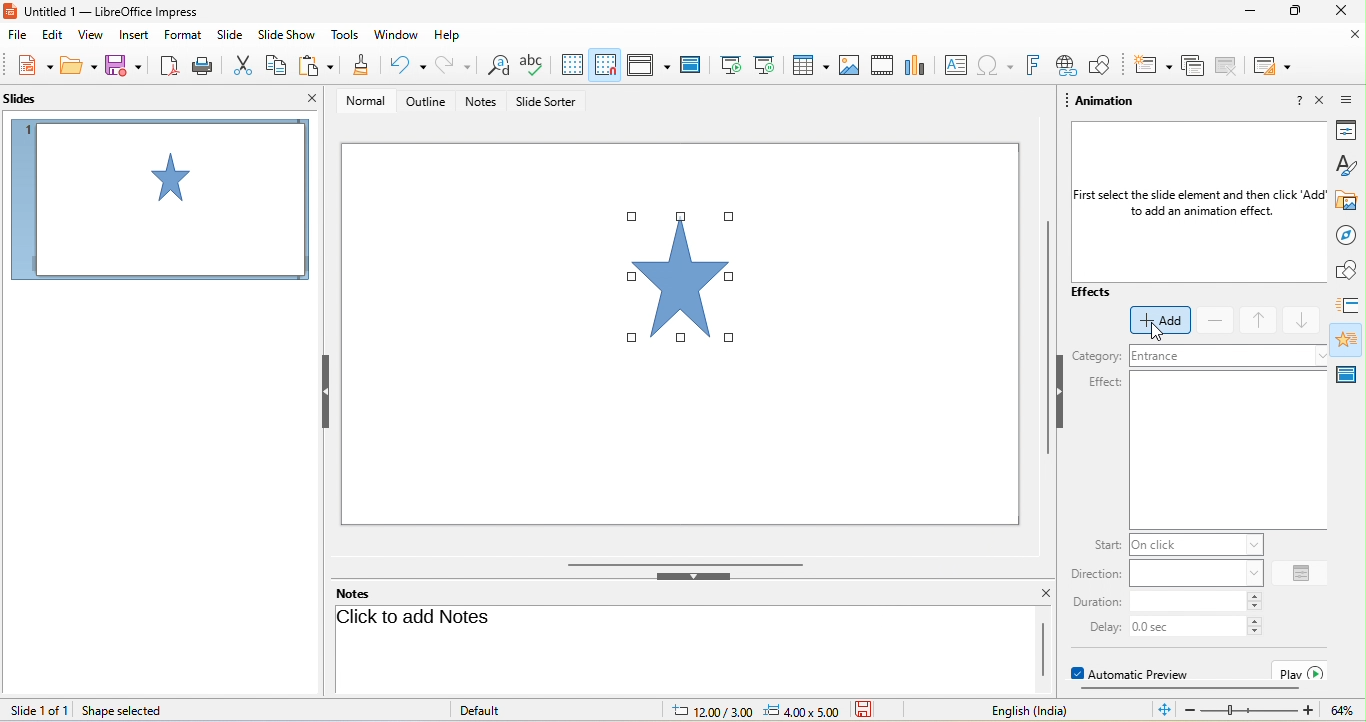 The height and width of the screenshot is (722, 1366). What do you see at coordinates (765, 65) in the screenshot?
I see `start from current slide` at bounding box center [765, 65].